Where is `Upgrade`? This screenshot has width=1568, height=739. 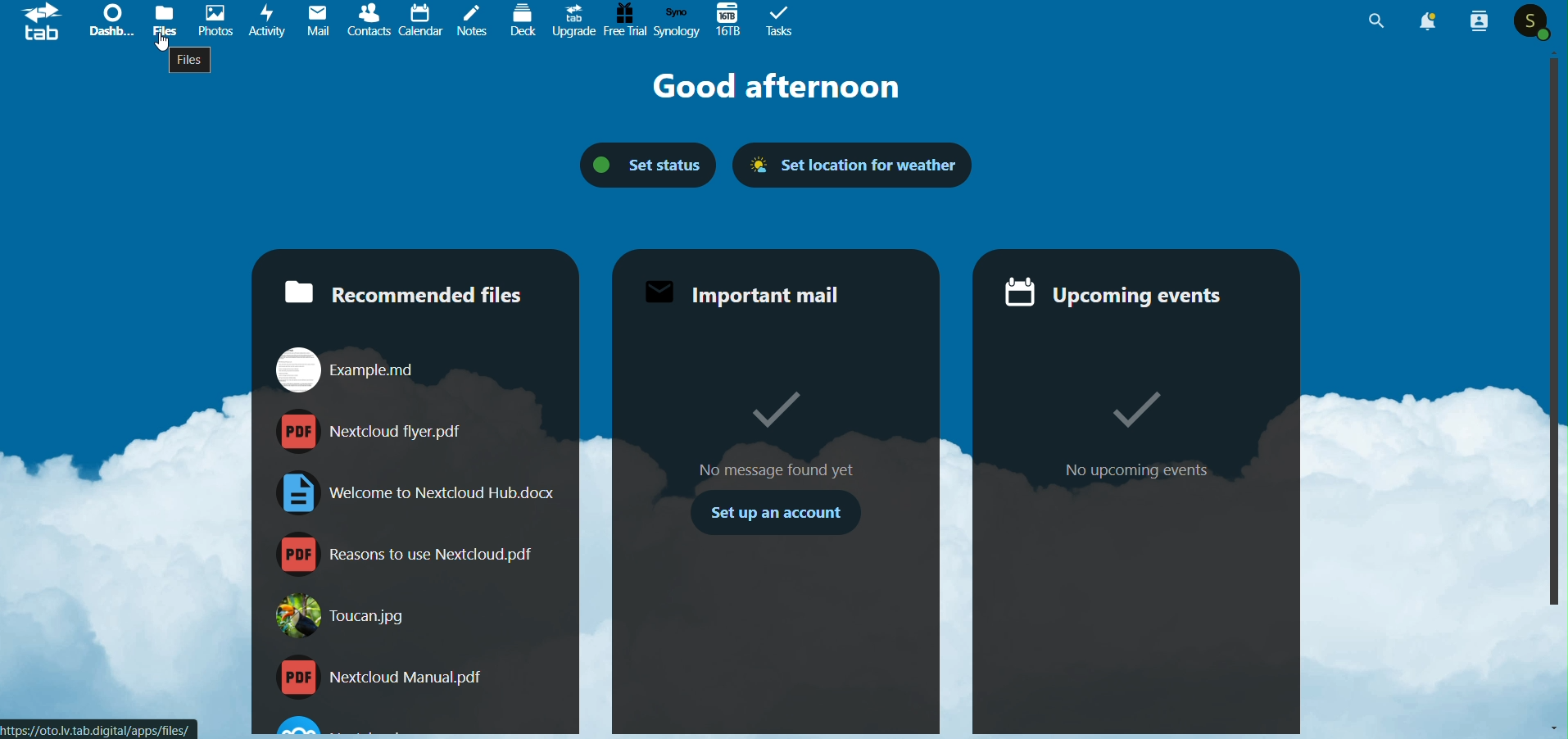
Upgrade is located at coordinates (573, 21).